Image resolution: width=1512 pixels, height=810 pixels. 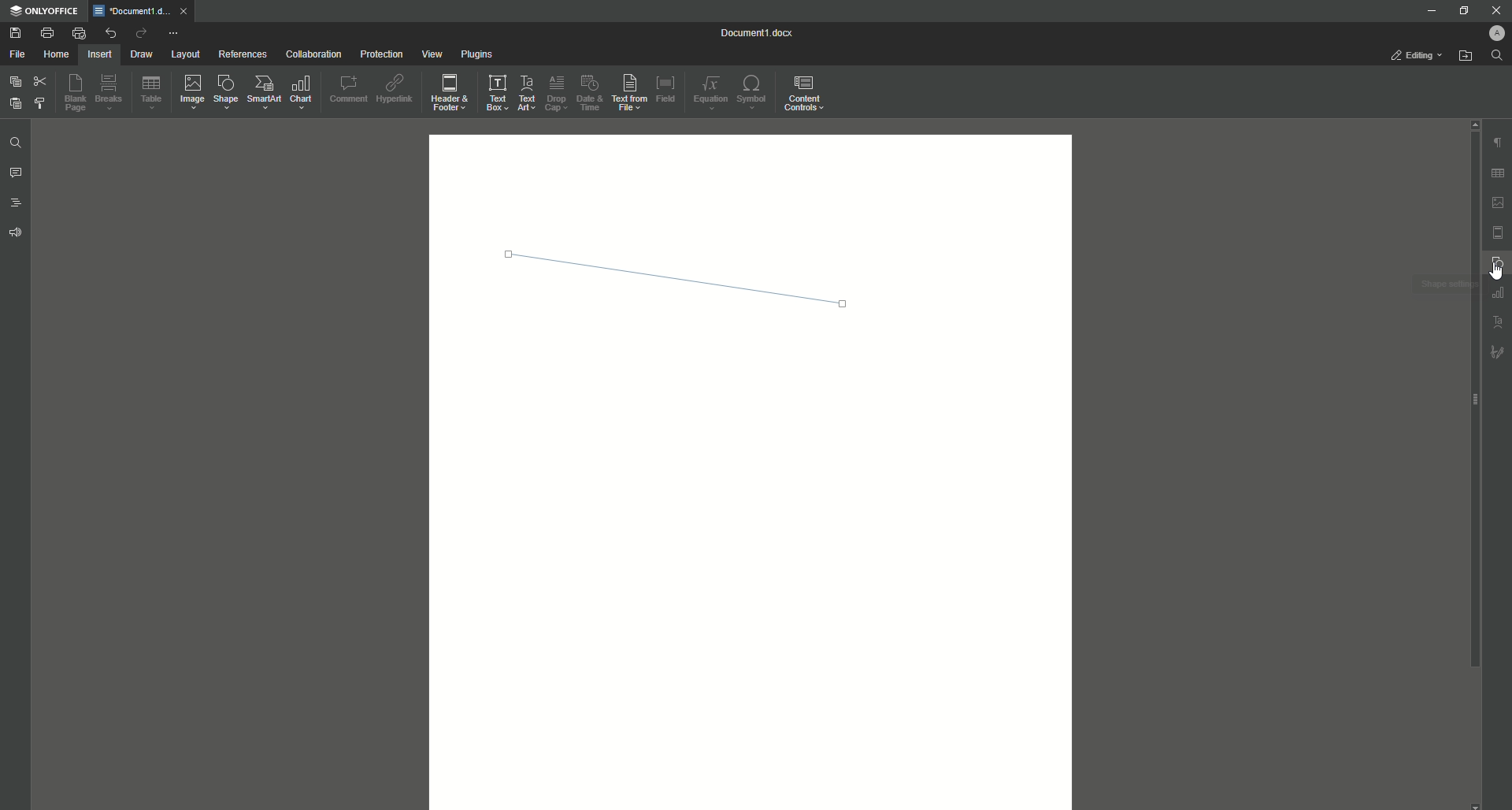 What do you see at coordinates (1489, 34) in the screenshot?
I see `Profile` at bounding box center [1489, 34].